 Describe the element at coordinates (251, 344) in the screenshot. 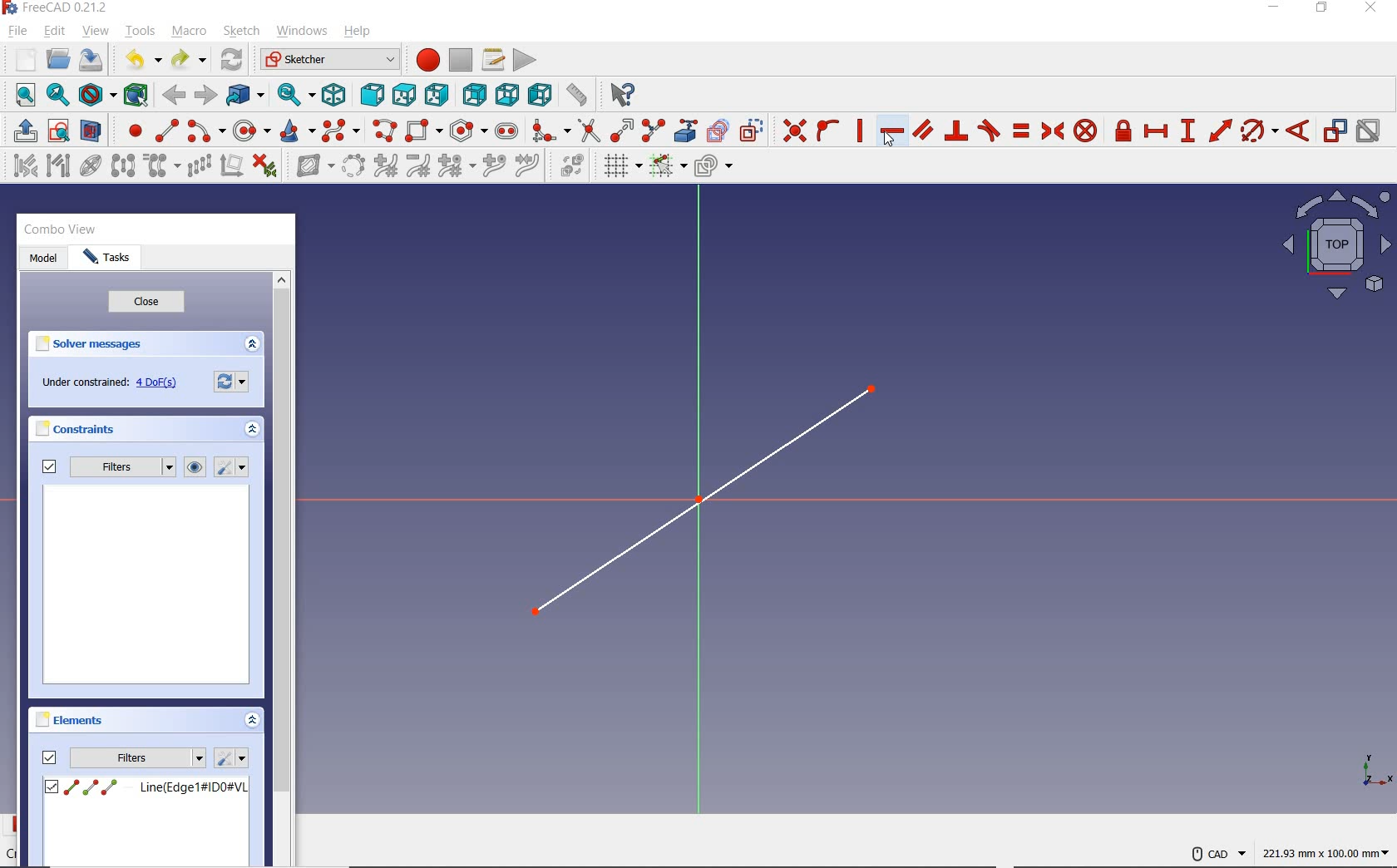

I see `COLLAPSE` at that location.